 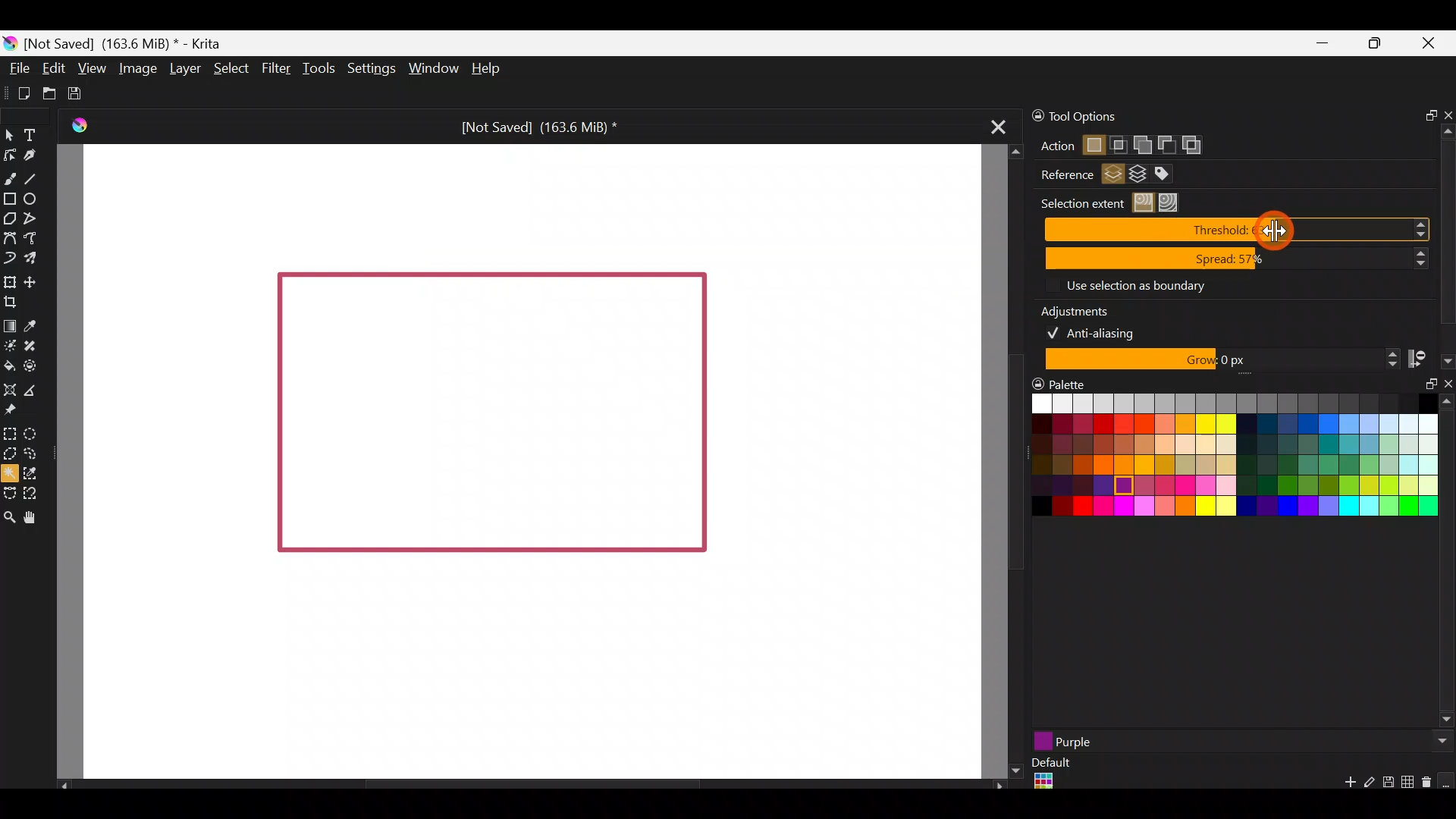 What do you see at coordinates (1425, 113) in the screenshot?
I see `Float docker` at bounding box center [1425, 113].